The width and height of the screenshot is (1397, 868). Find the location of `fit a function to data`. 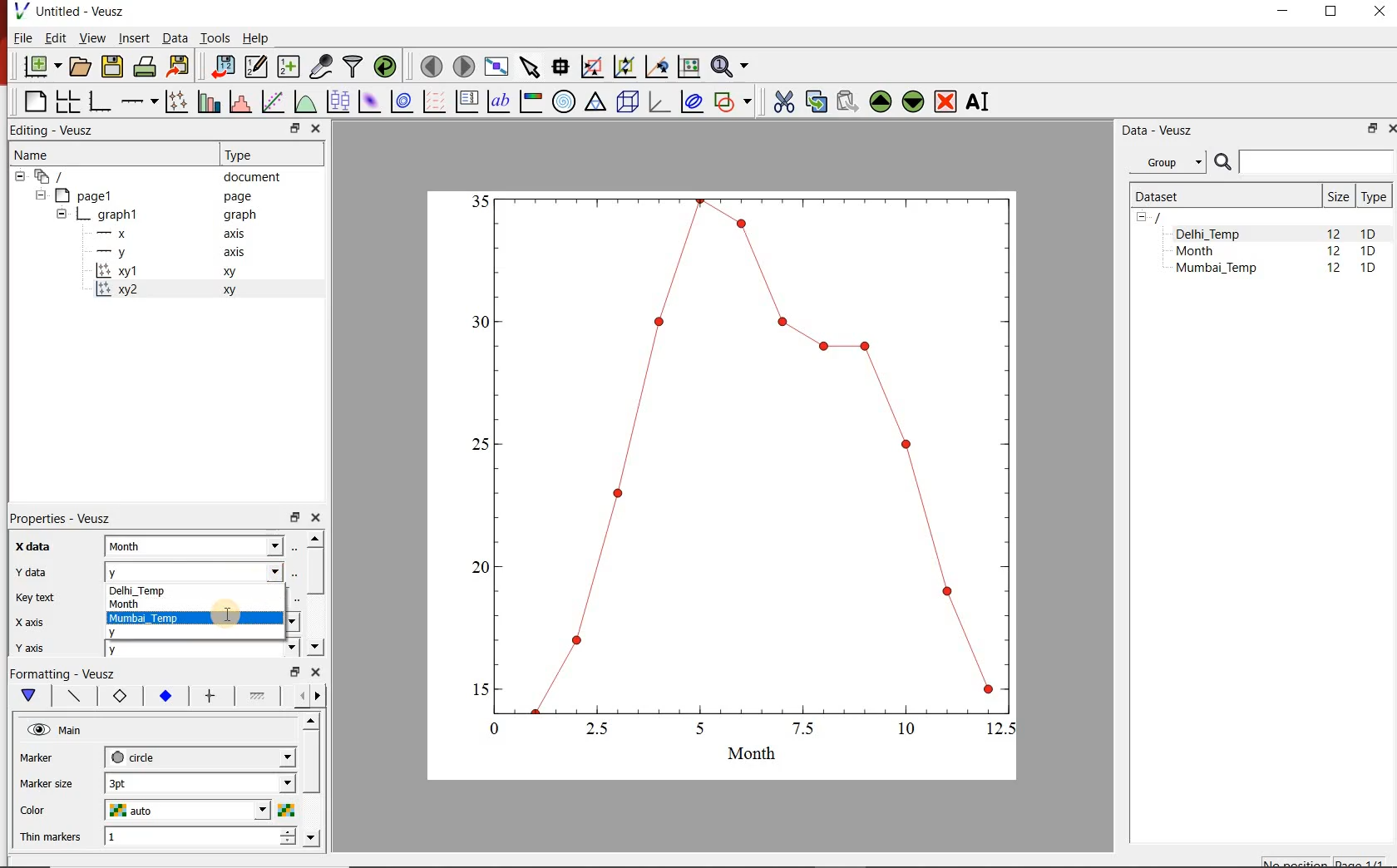

fit a function to data is located at coordinates (272, 101).